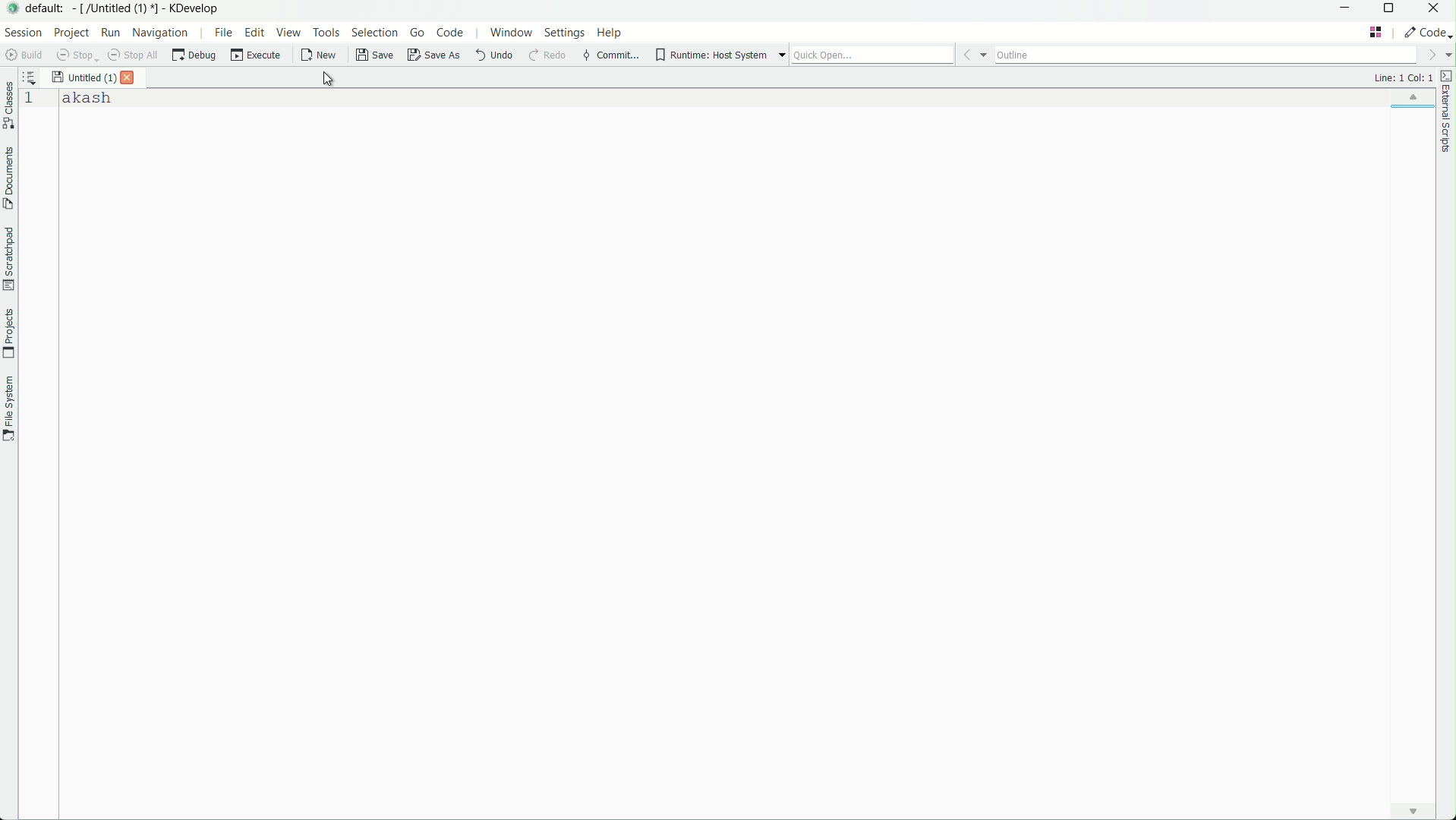 This screenshot has height=820, width=1456. I want to click on more options, so click(780, 55).